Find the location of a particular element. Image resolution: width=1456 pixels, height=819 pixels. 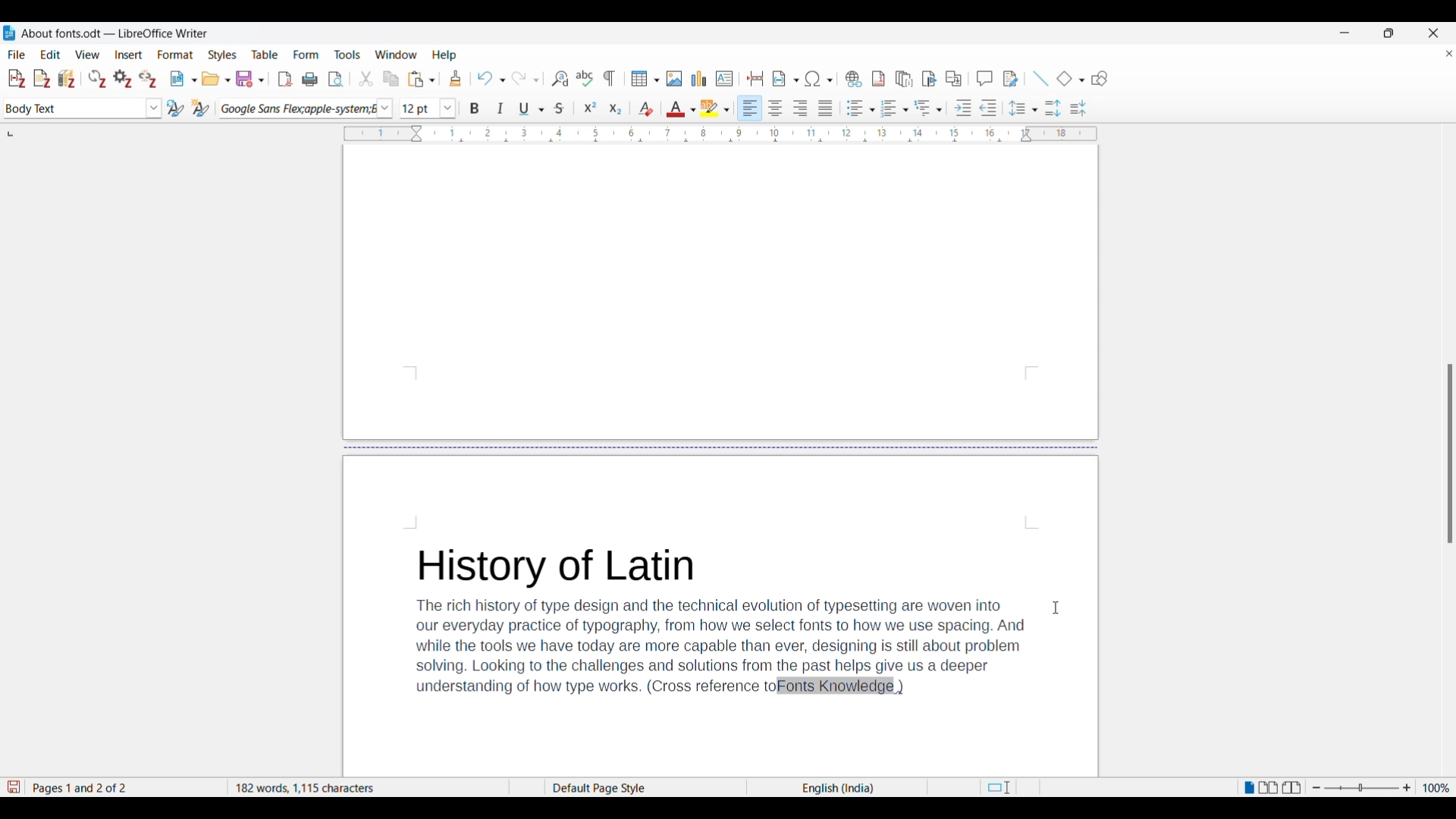

Align left, current selection highlighted is located at coordinates (750, 108).